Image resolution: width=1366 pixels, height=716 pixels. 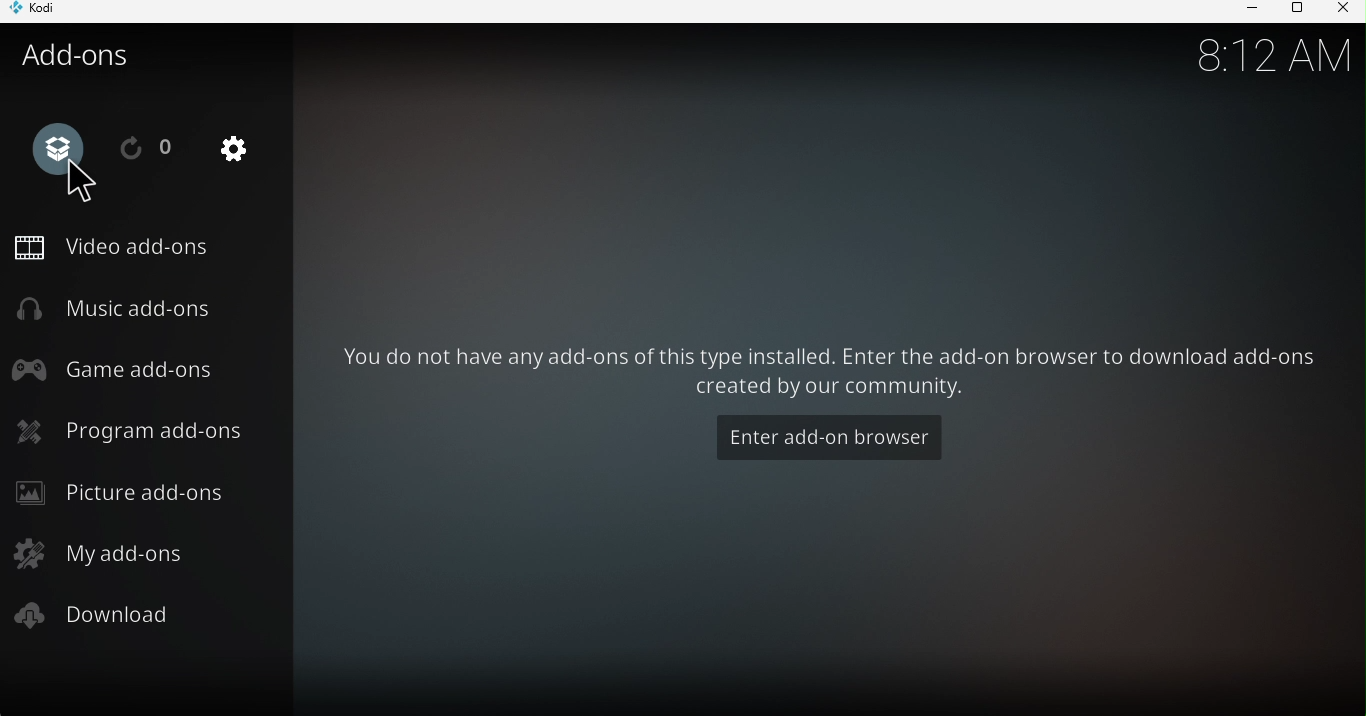 I want to click on Add-ons/browser, so click(x=58, y=145).